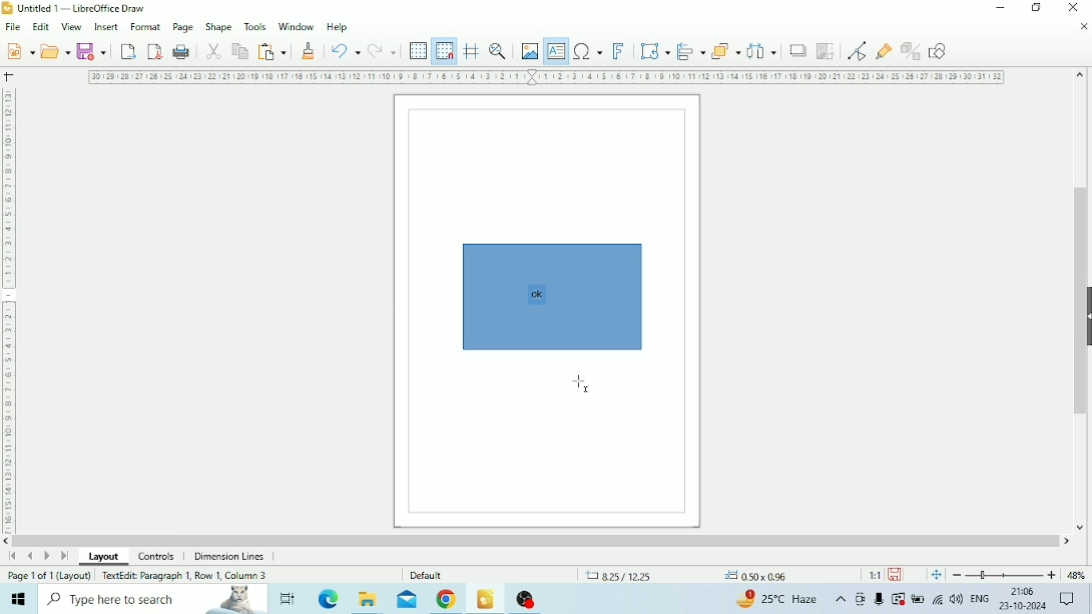  What do you see at coordinates (1002, 575) in the screenshot?
I see `Zoom Out/In` at bounding box center [1002, 575].